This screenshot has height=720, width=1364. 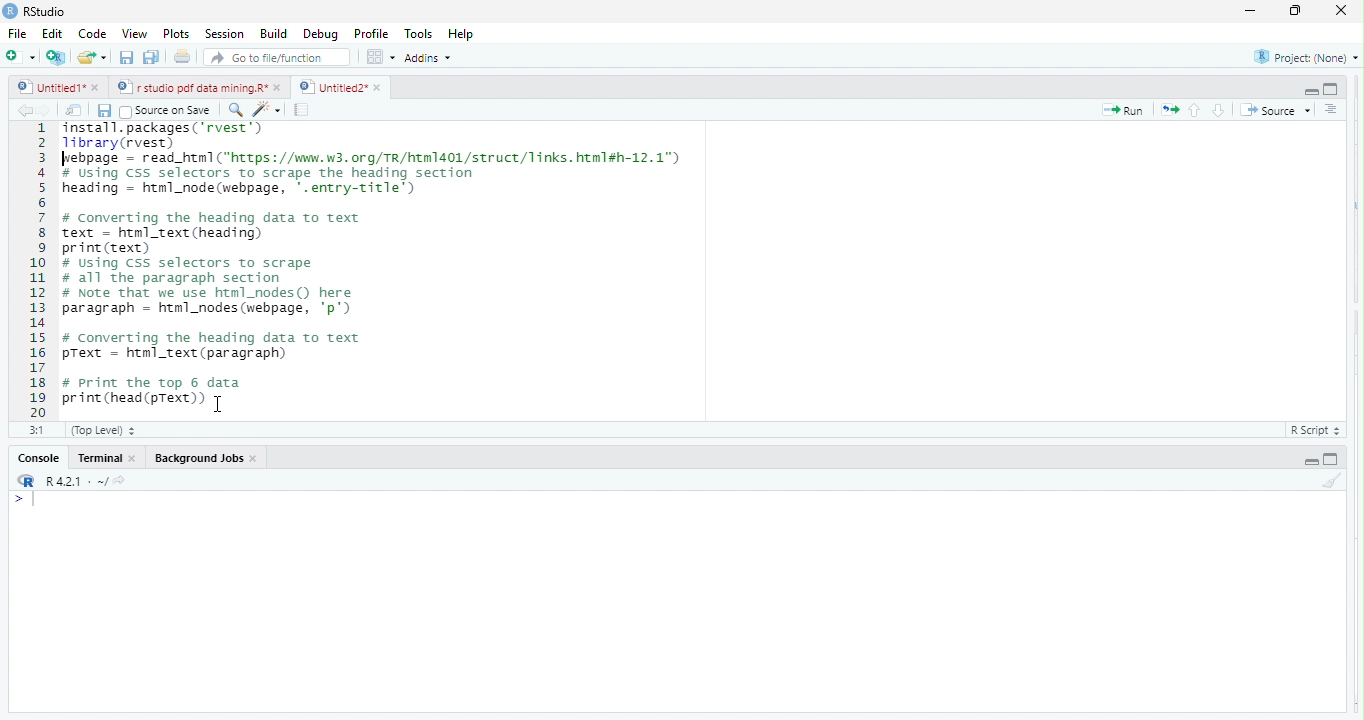 What do you see at coordinates (25, 110) in the screenshot?
I see `go back to the previous source location` at bounding box center [25, 110].